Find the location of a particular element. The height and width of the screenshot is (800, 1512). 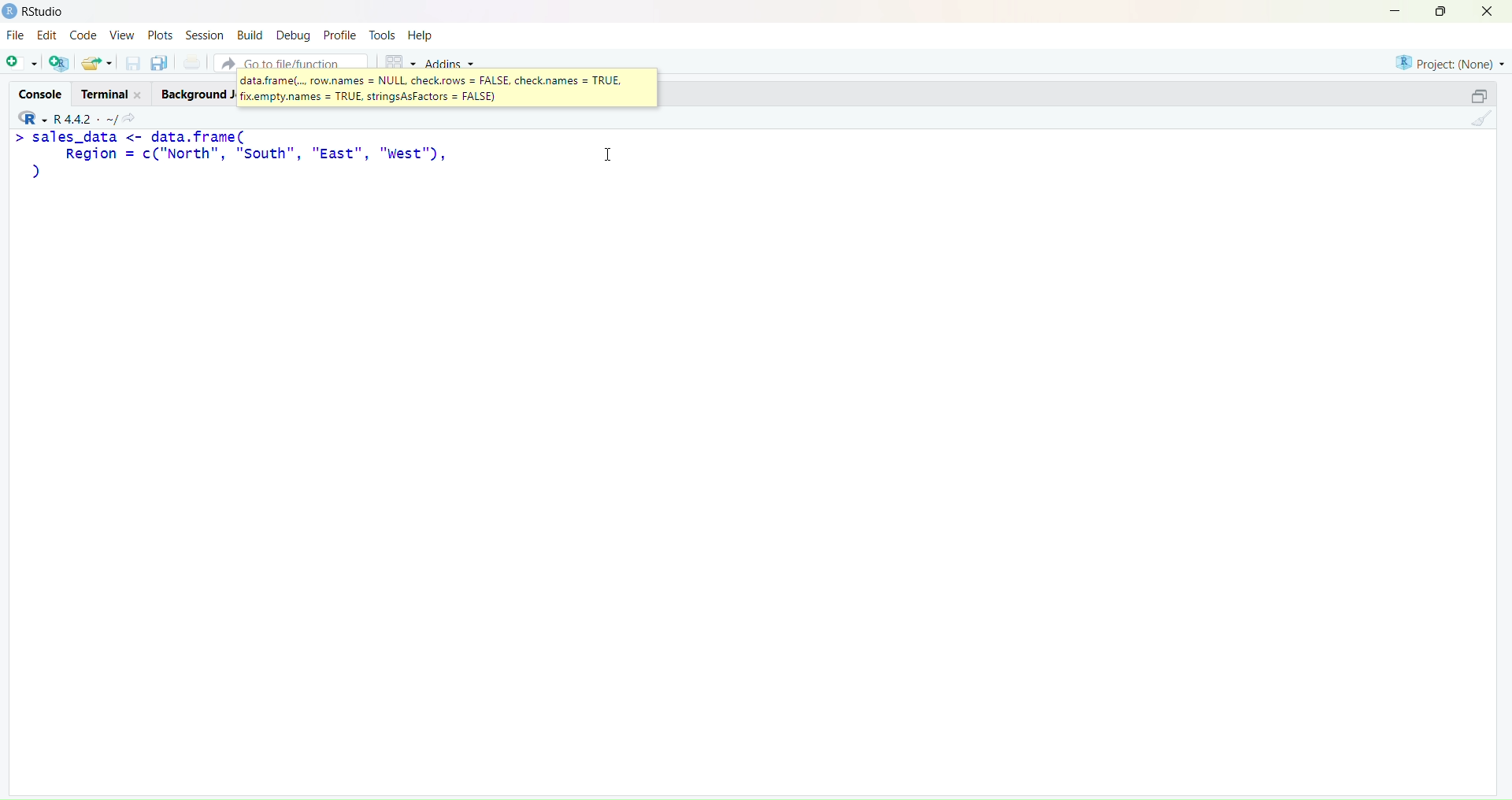

View is located at coordinates (124, 36).